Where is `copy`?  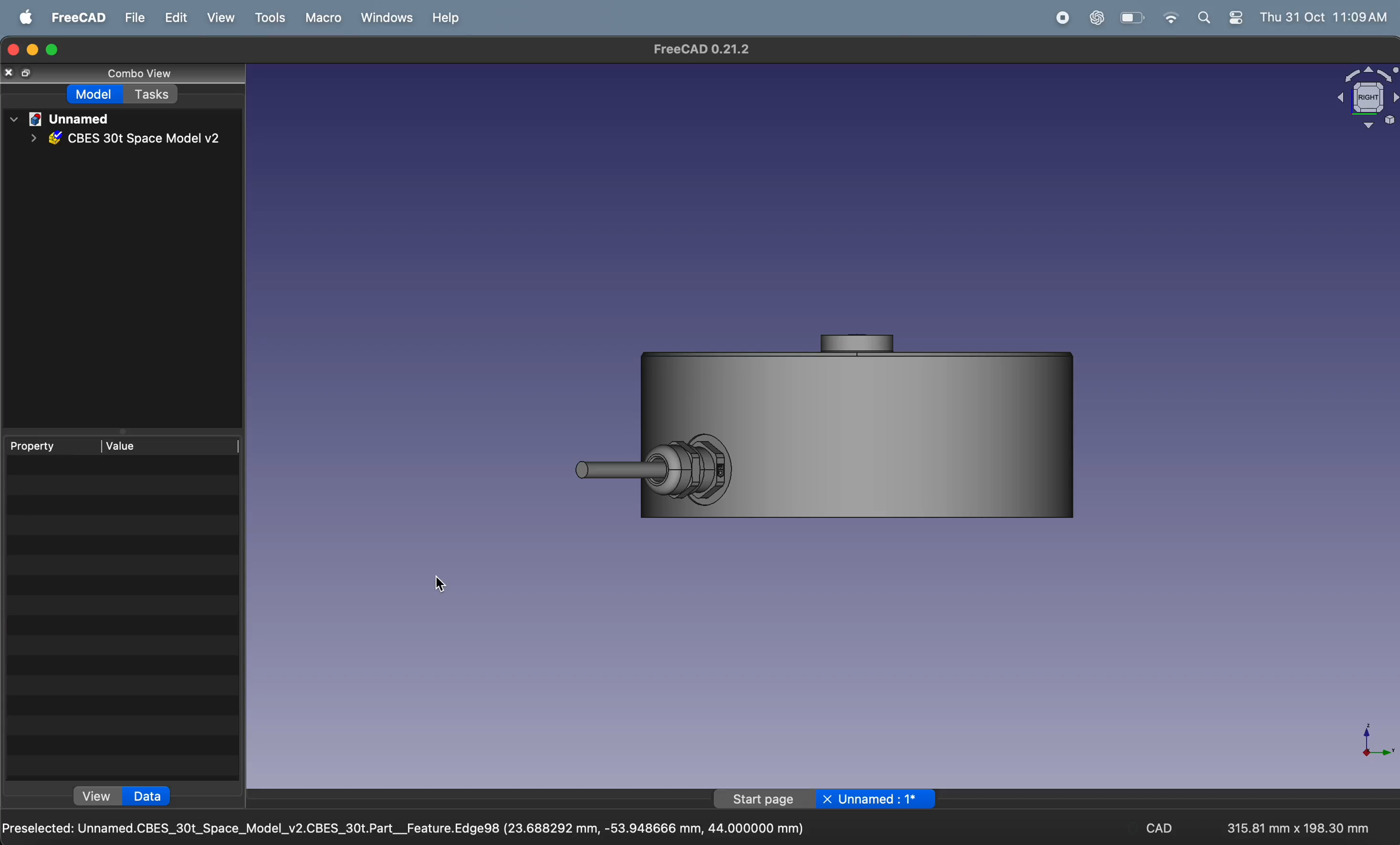 copy is located at coordinates (29, 74).